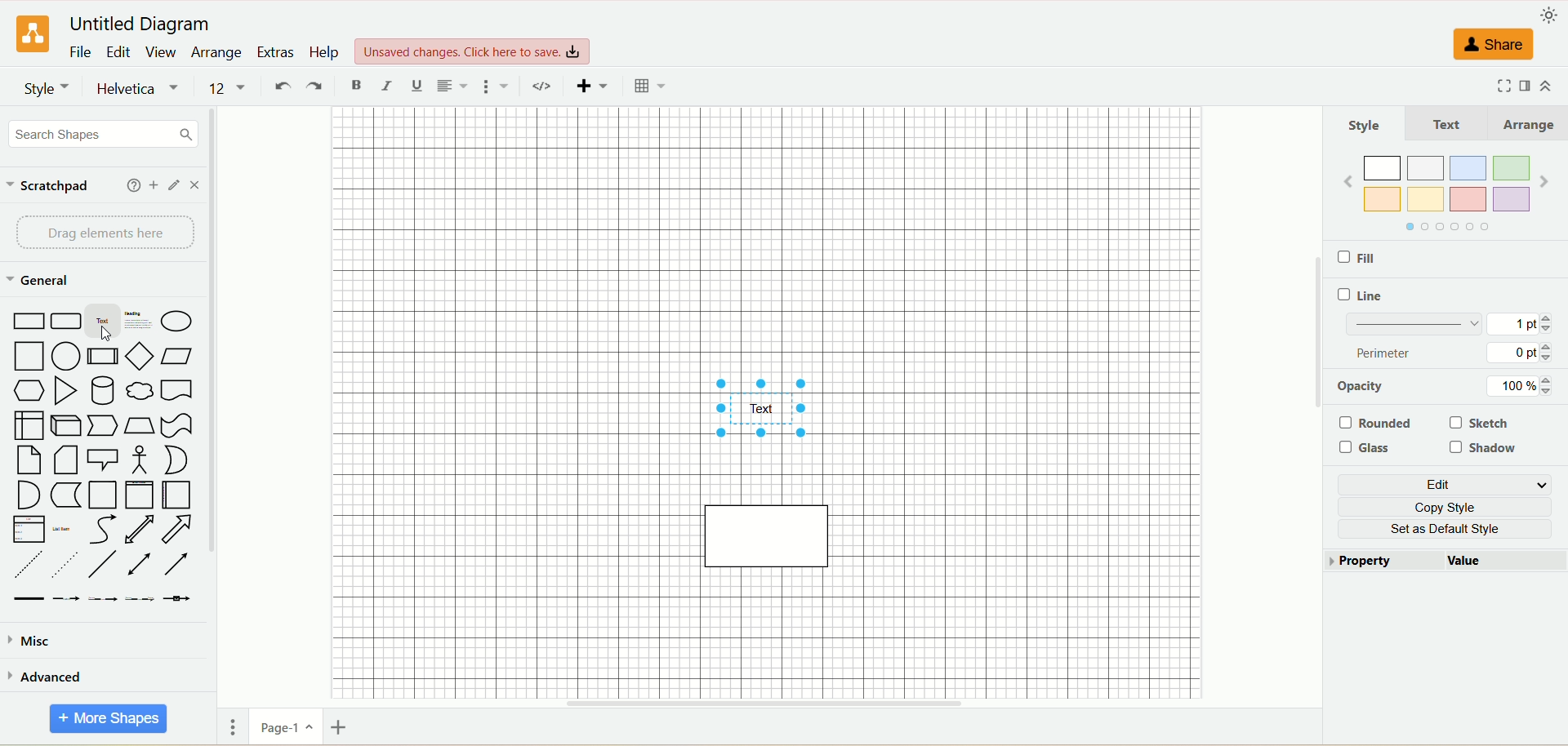 The width and height of the screenshot is (1568, 746). I want to click on font family, so click(141, 89).